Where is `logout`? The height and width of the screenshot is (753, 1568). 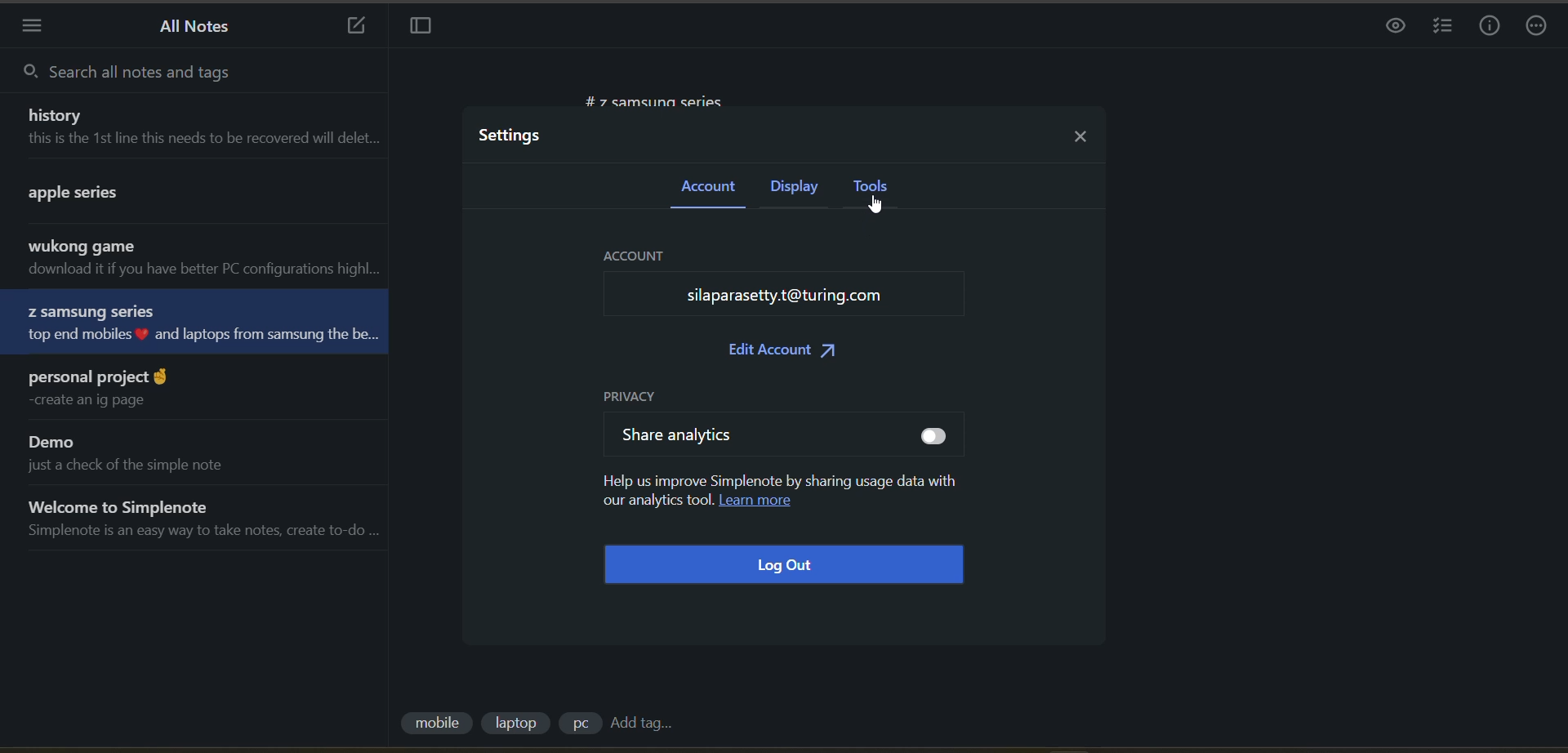
logout is located at coordinates (790, 567).